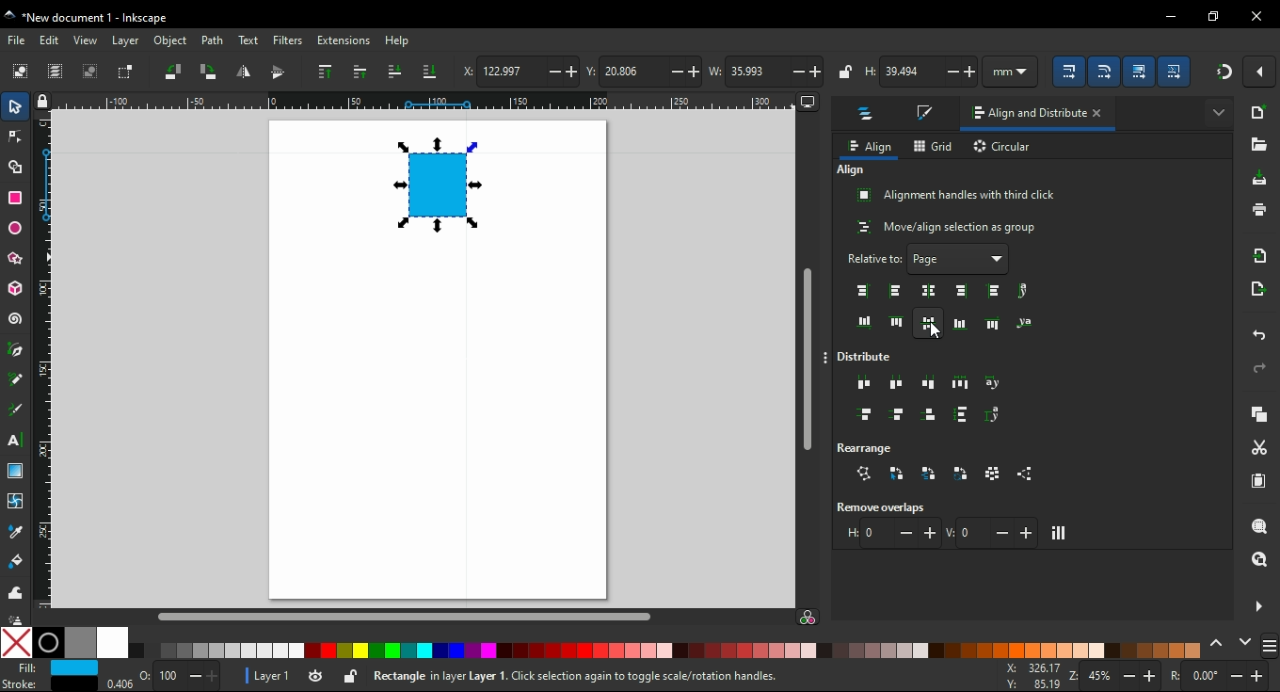 The width and height of the screenshot is (1280, 692). Describe the element at coordinates (1270, 647) in the screenshot. I see `color options` at that location.